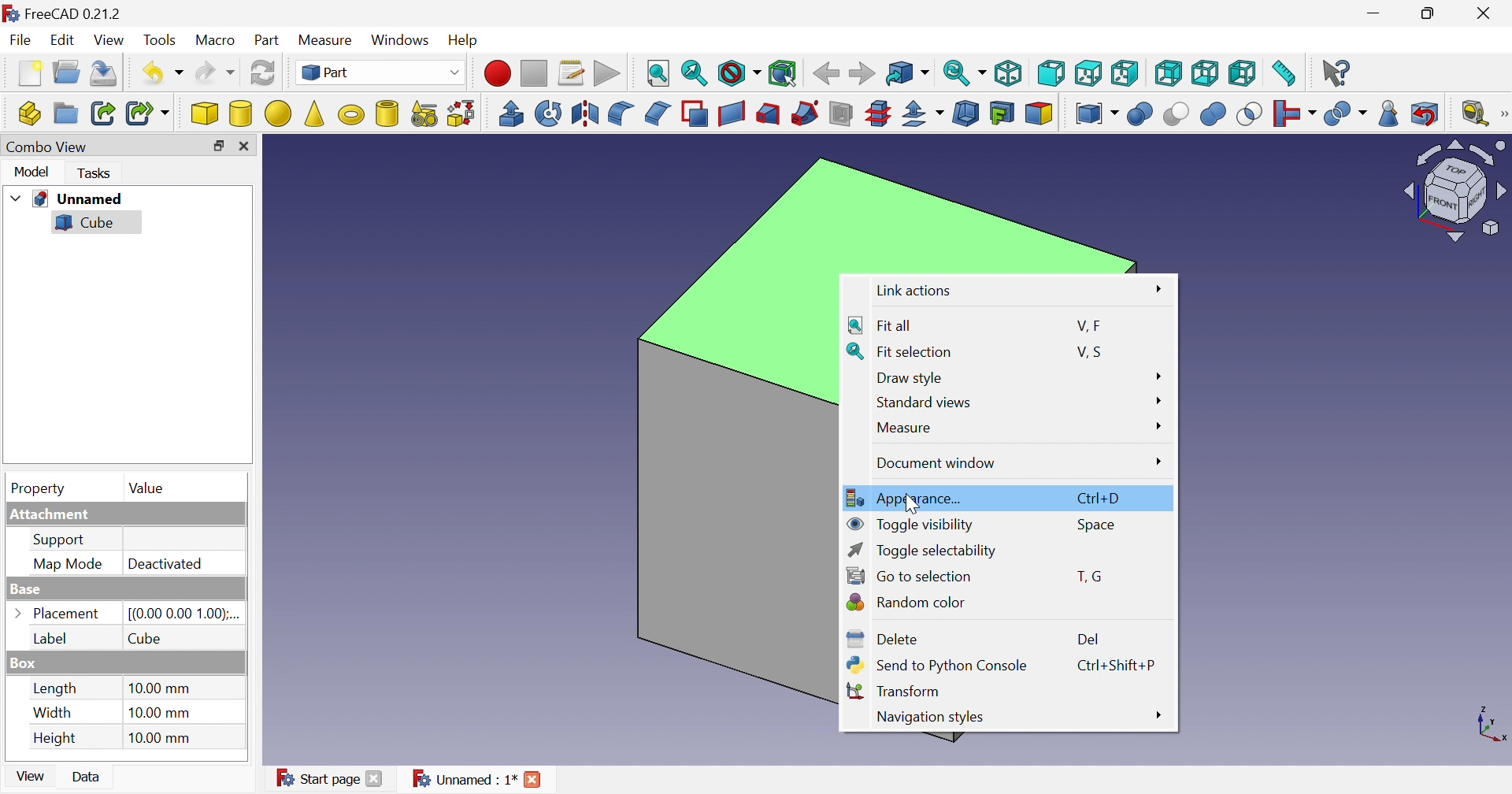 The width and height of the screenshot is (1512, 794). Describe the element at coordinates (1170, 73) in the screenshot. I see `Rear` at that location.